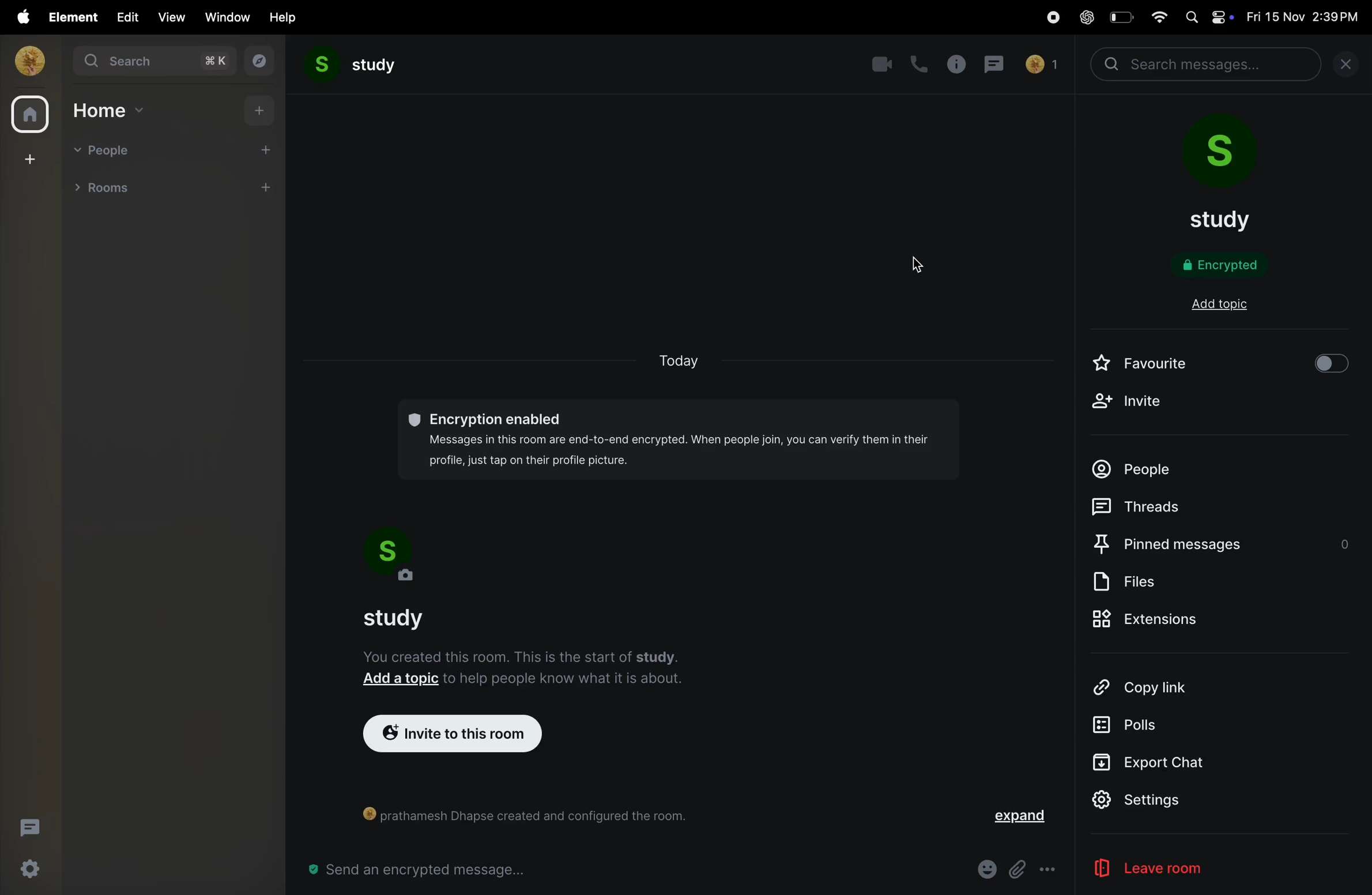 This screenshot has width=1372, height=895. What do you see at coordinates (1215, 541) in the screenshot?
I see `pinned messages` at bounding box center [1215, 541].